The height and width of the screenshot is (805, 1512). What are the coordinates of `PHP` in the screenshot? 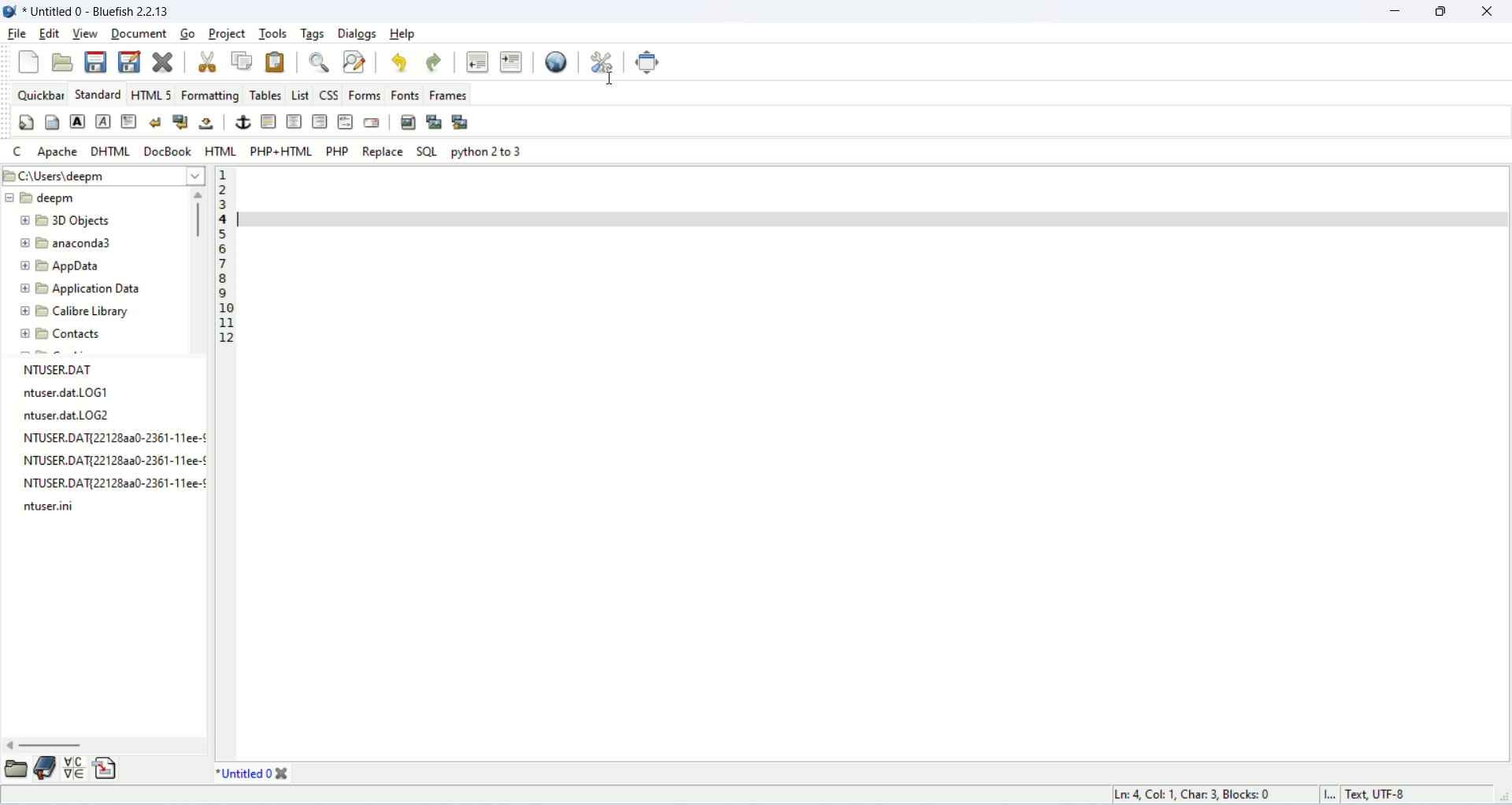 It's located at (336, 151).